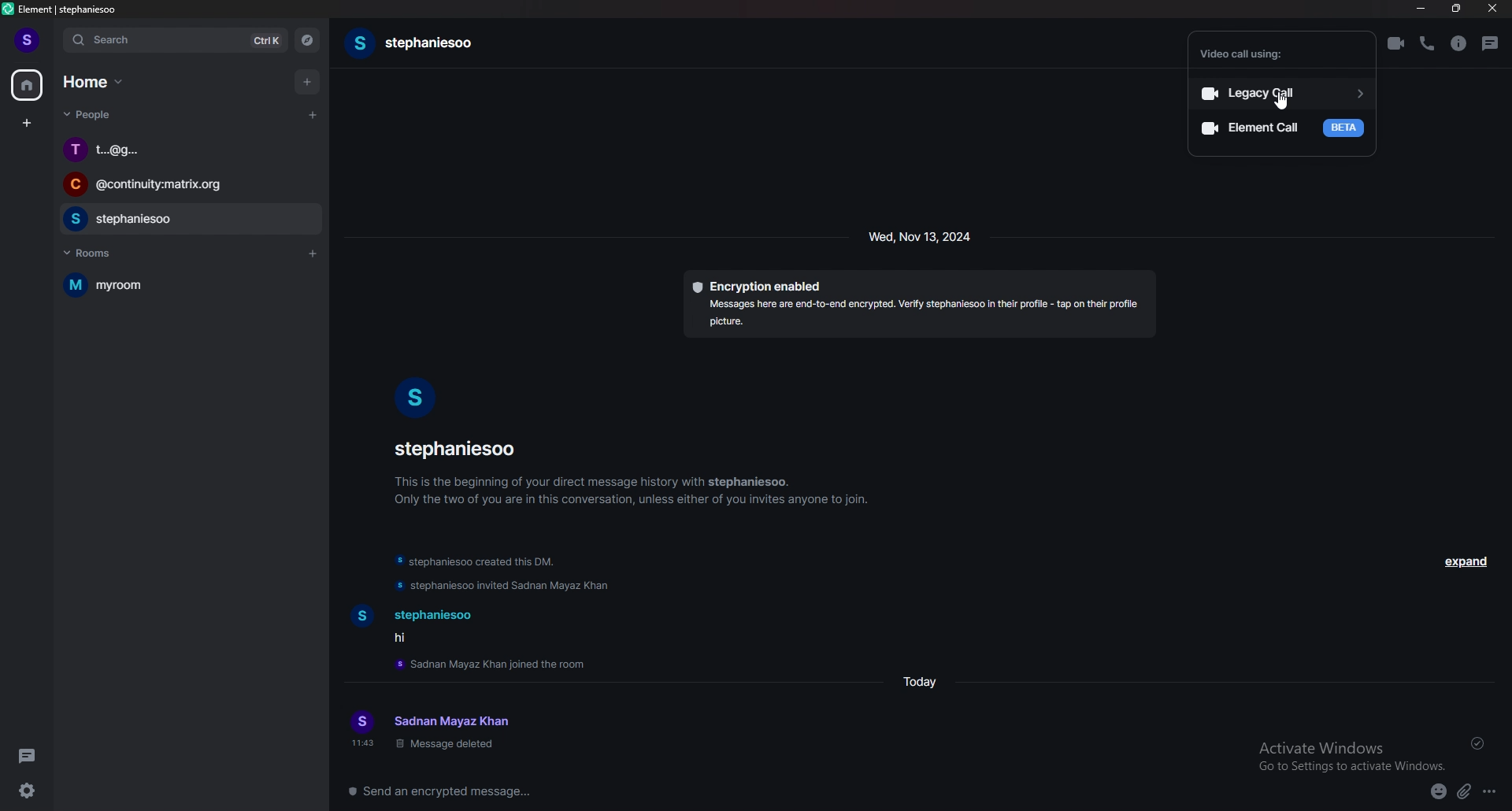 This screenshot has height=811, width=1512. Describe the element at coordinates (28, 756) in the screenshot. I see `theads` at that location.